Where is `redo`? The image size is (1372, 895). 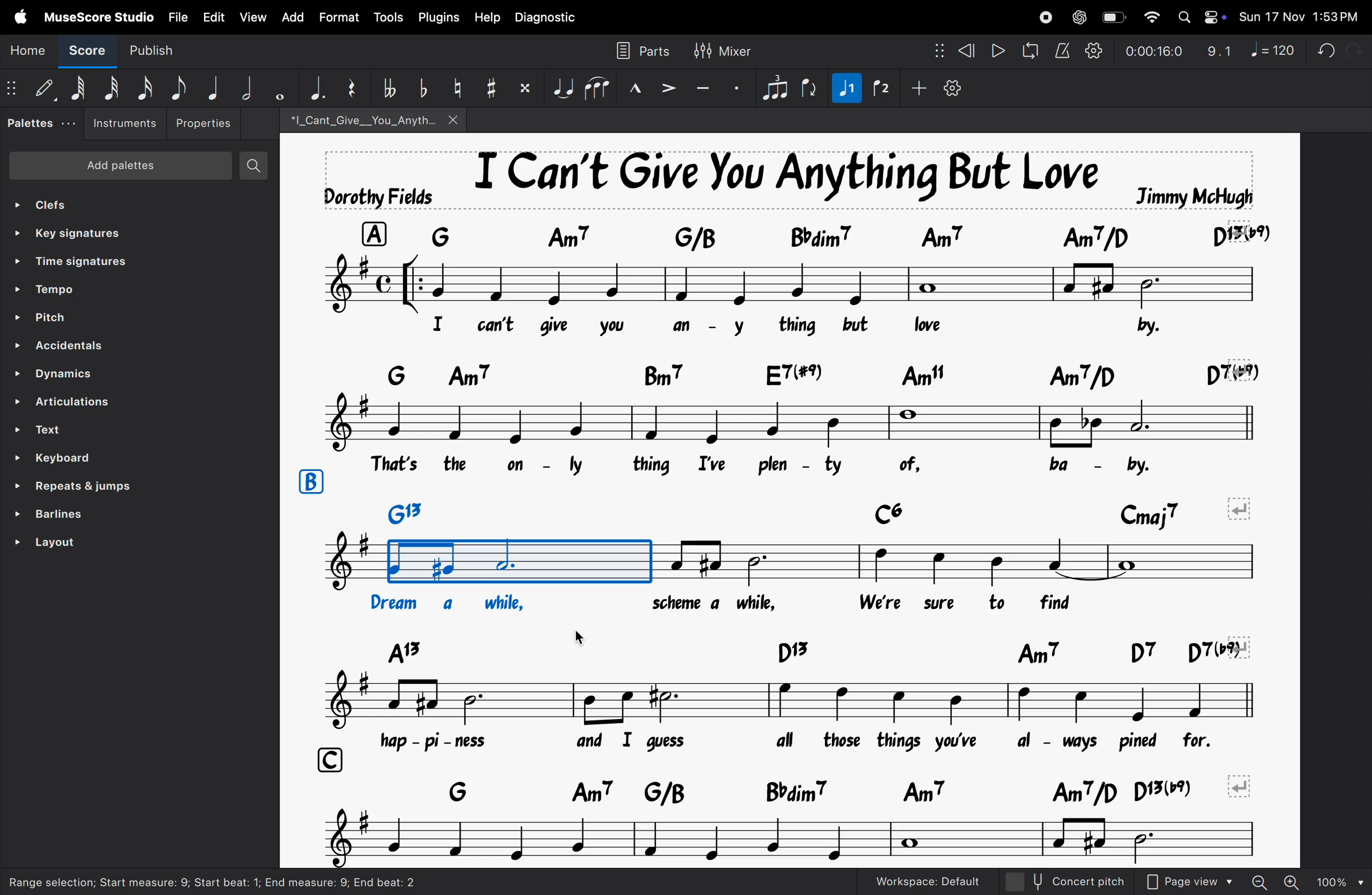 redo is located at coordinates (1355, 46).